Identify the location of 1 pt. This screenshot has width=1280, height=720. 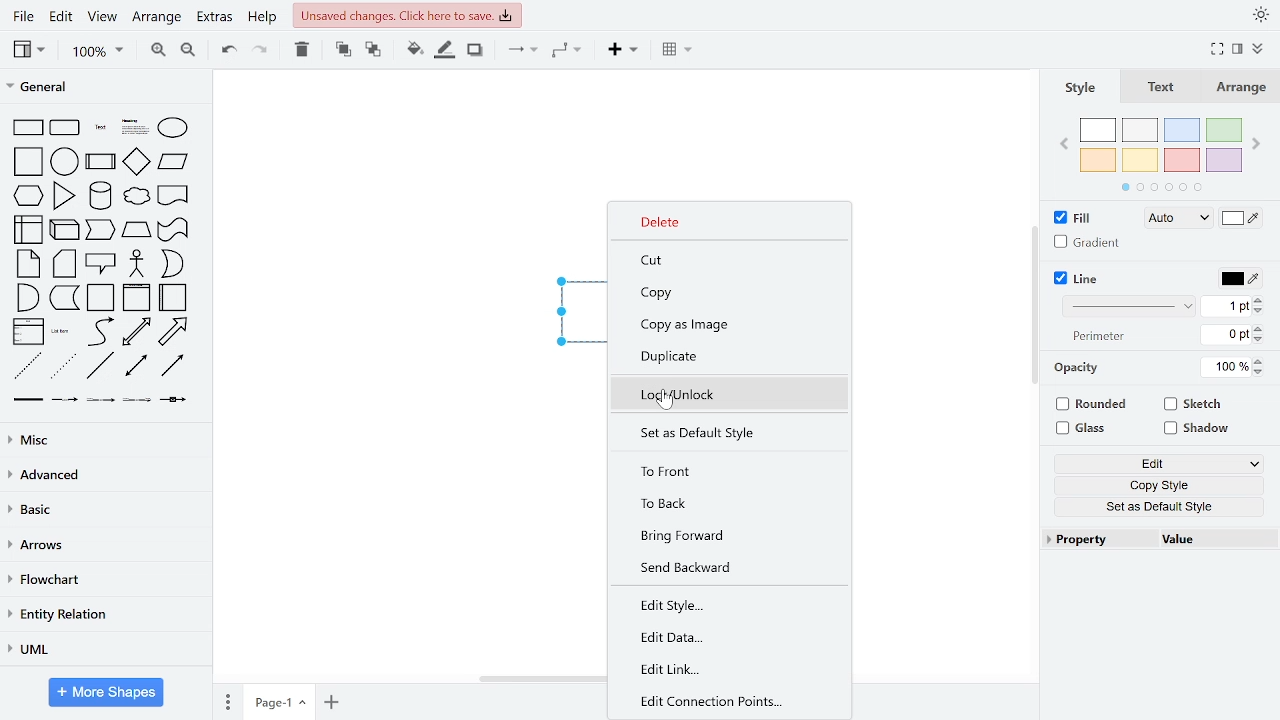
(1227, 307).